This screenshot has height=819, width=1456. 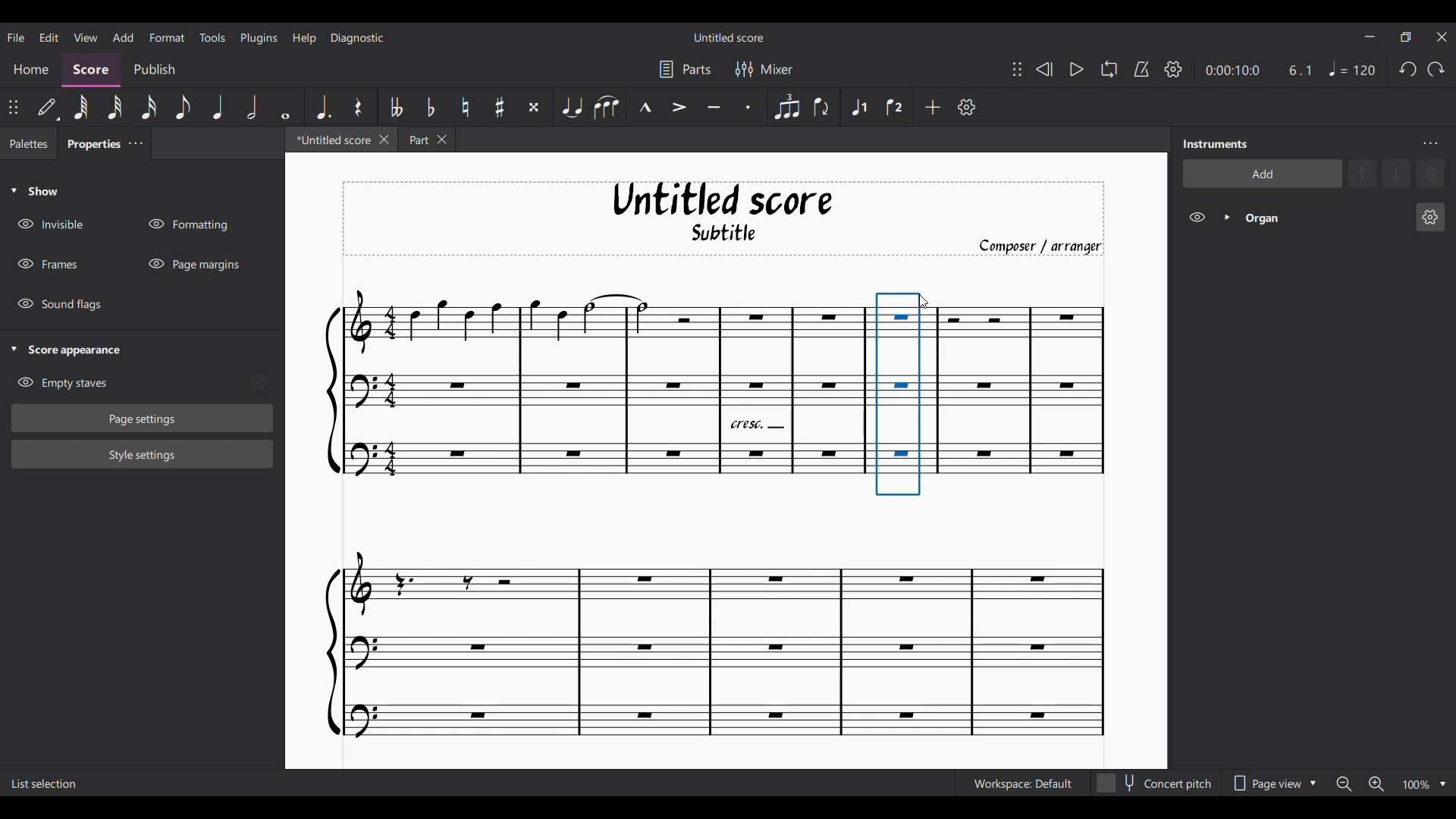 What do you see at coordinates (896, 107) in the screenshot?
I see `Voice 2` at bounding box center [896, 107].